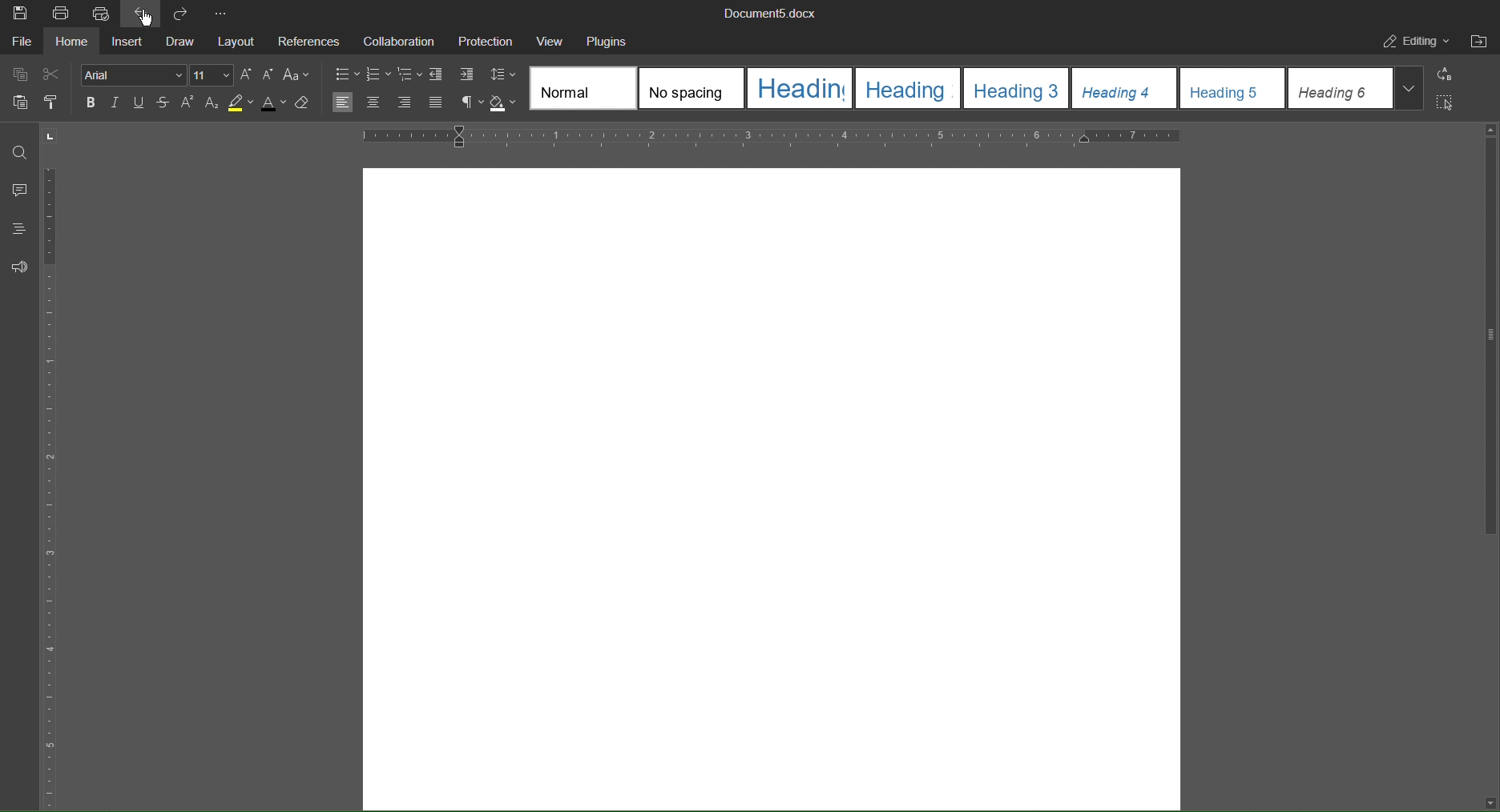 The width and height of the screenshot is (1500, 812). What do you see at coordinates (472, 103) in the screenshot?
I see `Nonprinting Characters` at bounding box center [472, 103].